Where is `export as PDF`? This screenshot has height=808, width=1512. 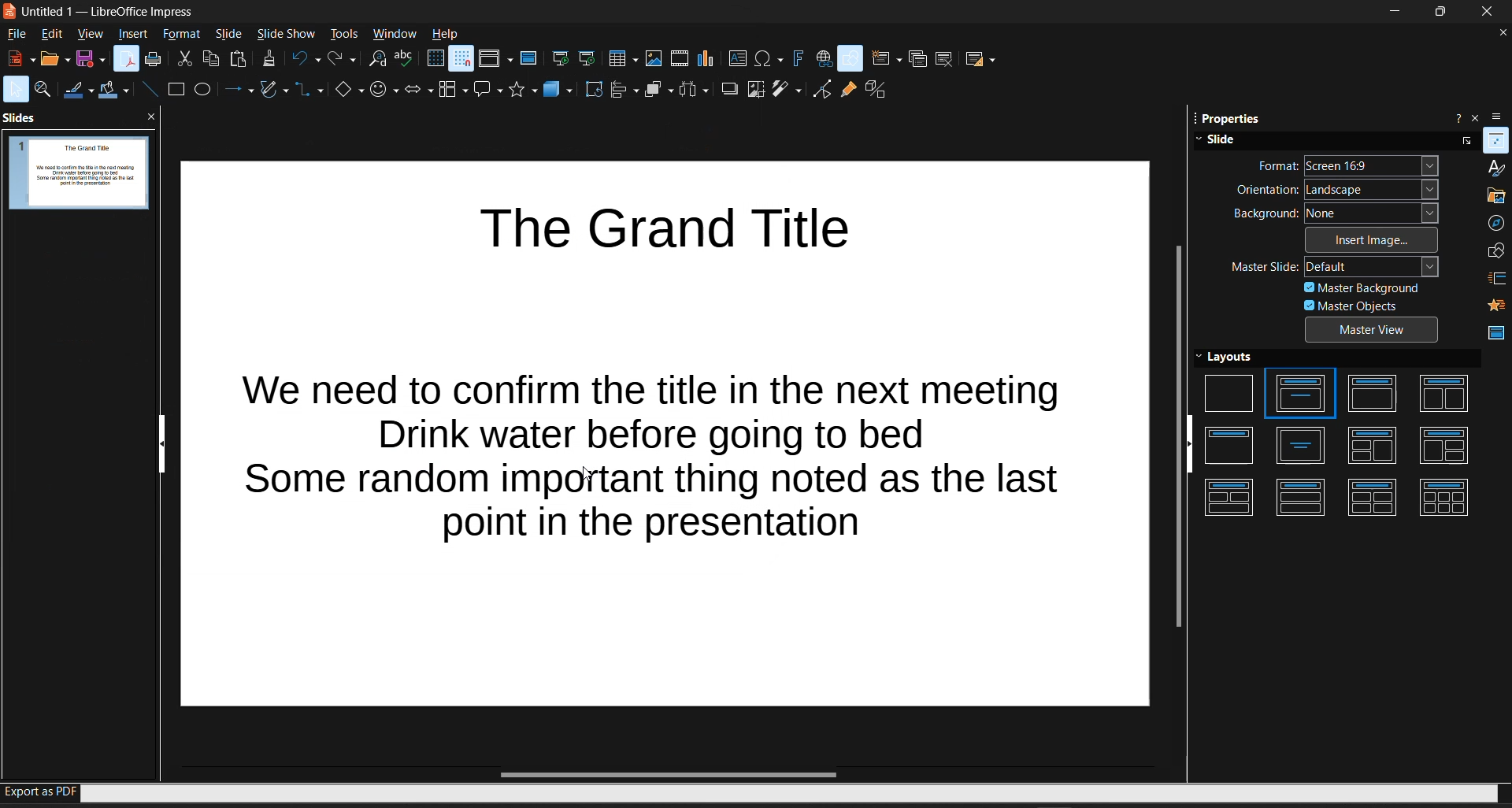
export as PDF is located at coordinates (42, 794).